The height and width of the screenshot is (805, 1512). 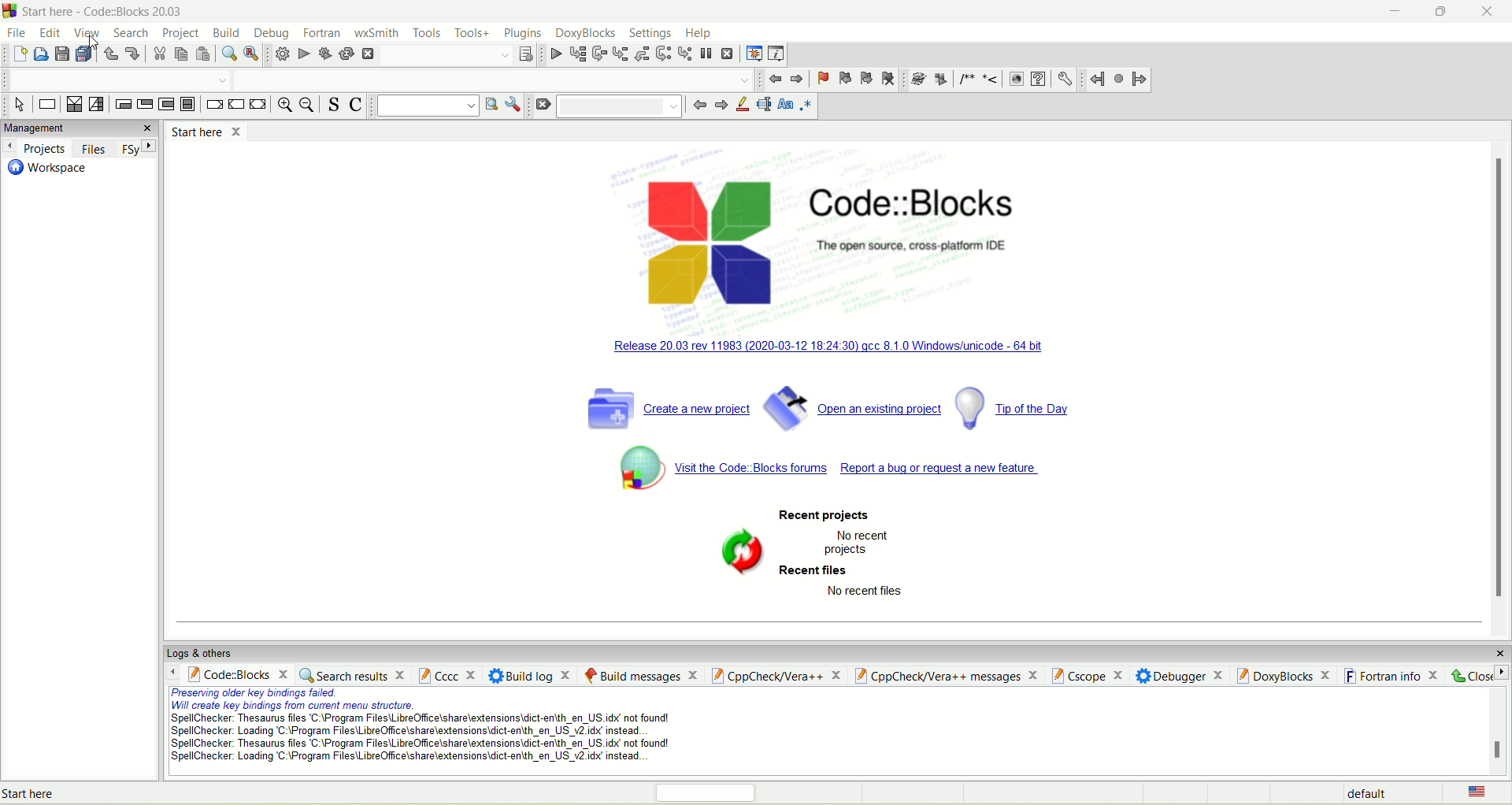 What do you see at coordinates (763, 107) in the screenshot?
I see `selected text` at bounding box center [763, 107].